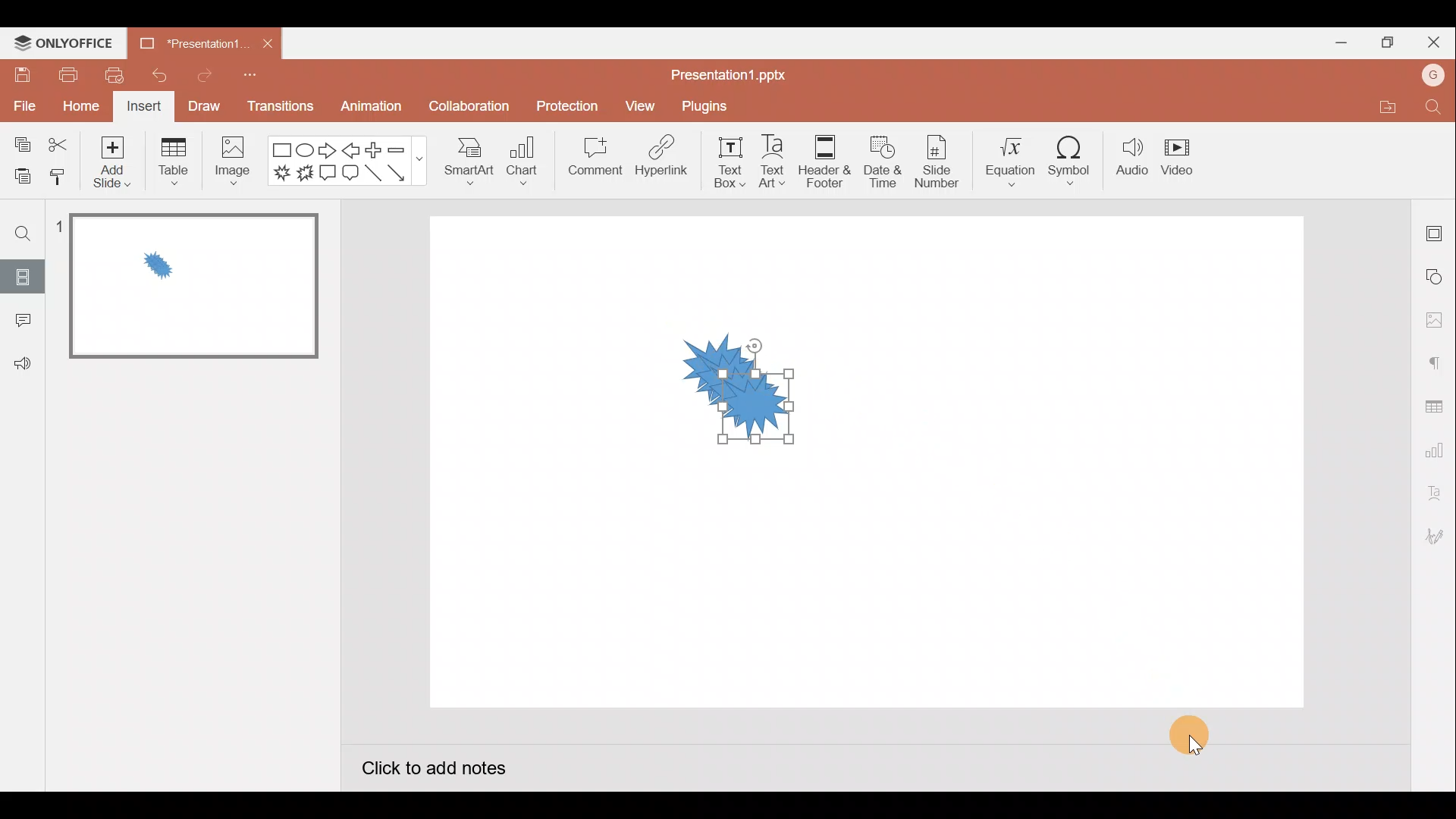 The height and width of the screenshot is (819, 1456). What do you see at coordinates (171, 162) in the screenshot?
I see `Table` at bounding box center [171, 162].